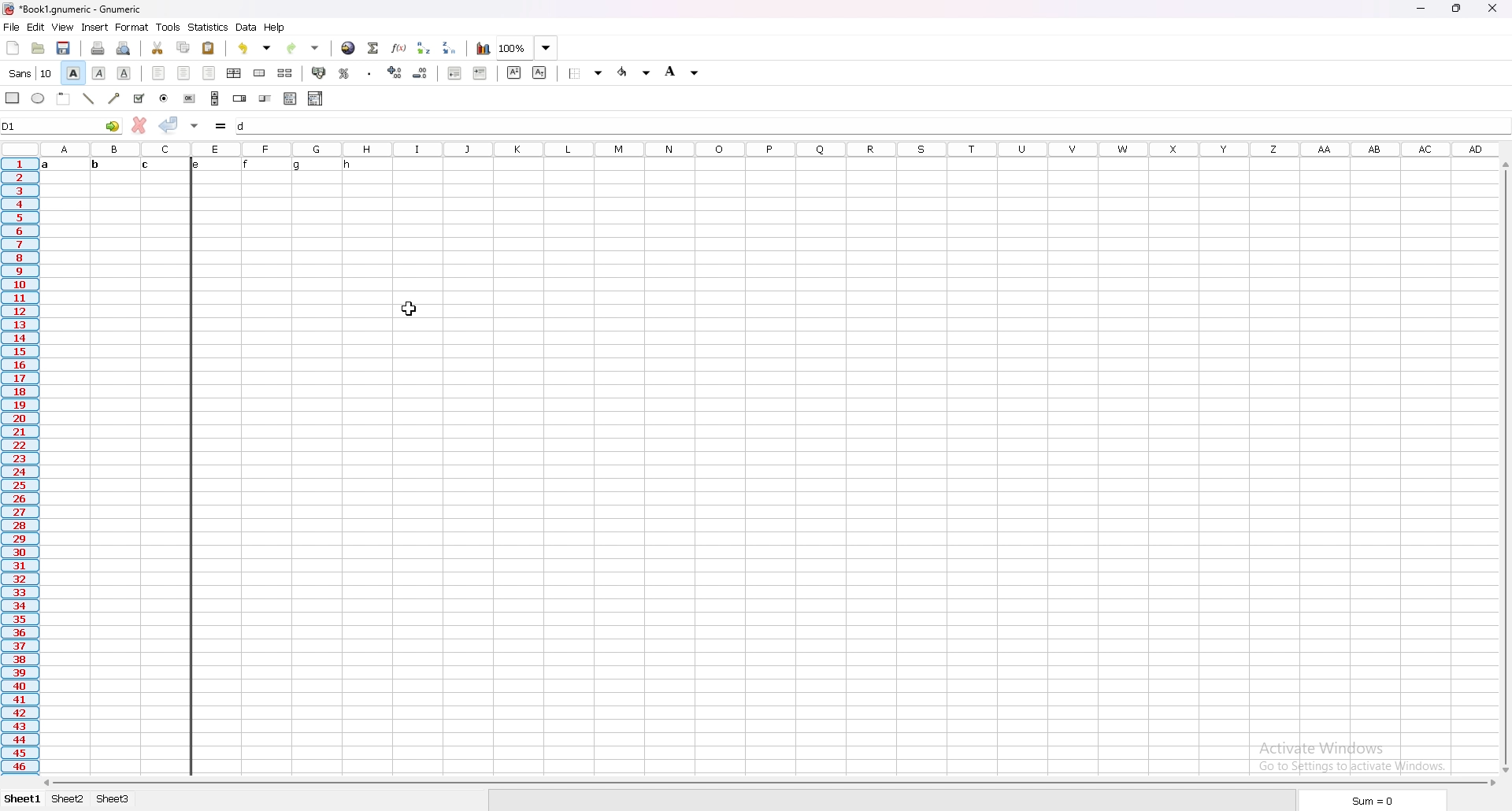 This screenshot has height=811, width=1512. Describe the element at coordinates (635, 72) in the screenshot. I see `foreground` at that location.